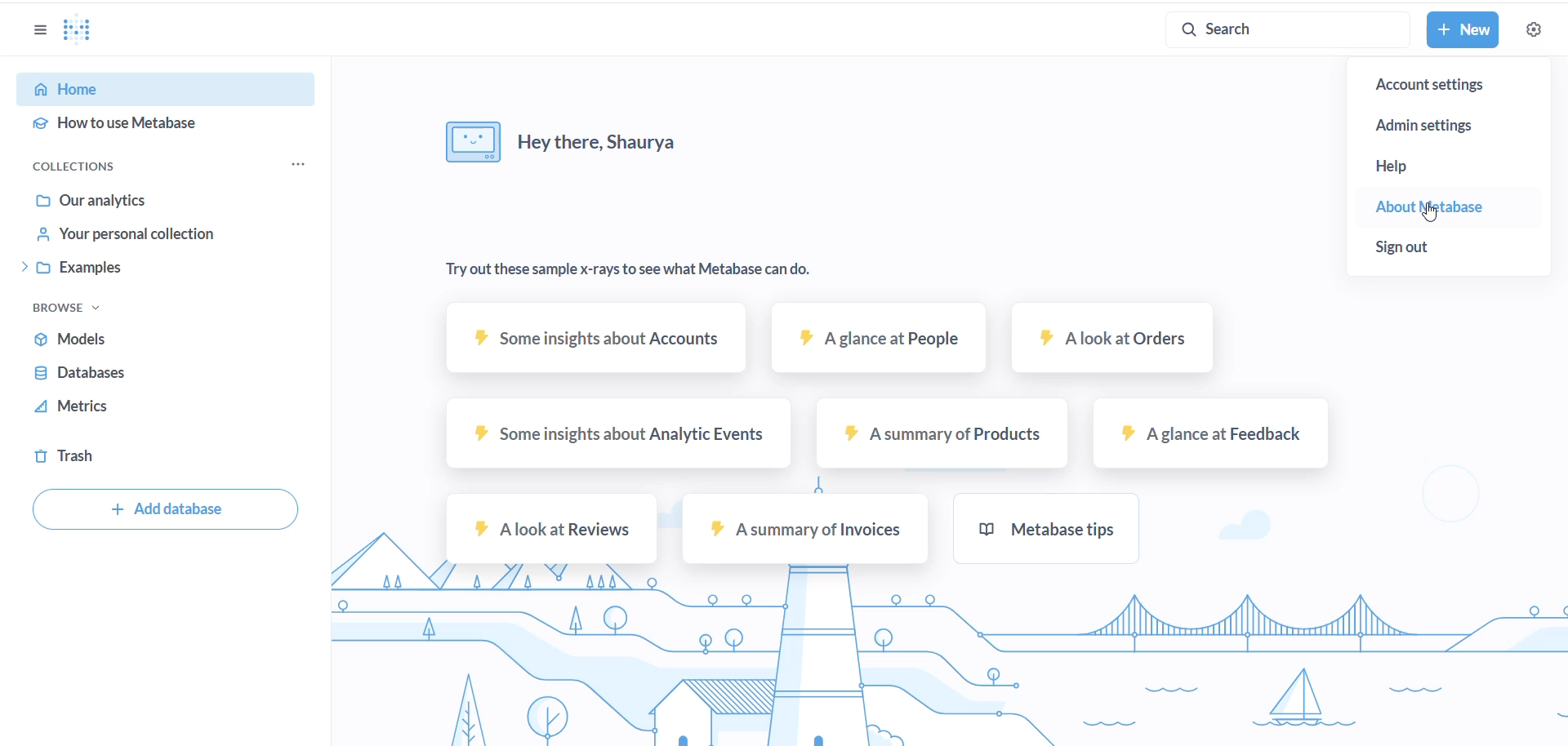 This screenshot has width=1568, height=746. I want to click on help, so click(1409, 163).